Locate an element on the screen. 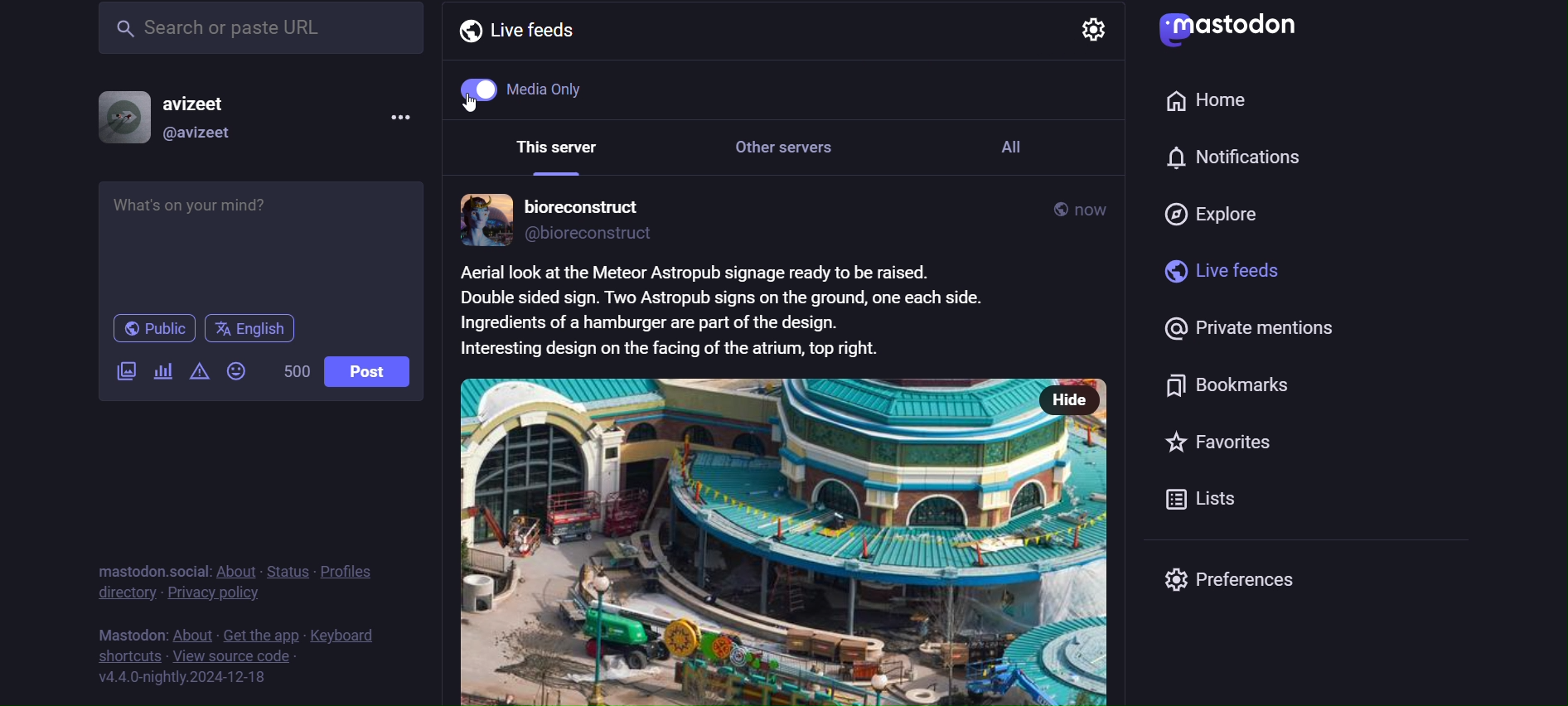  about is located at coordinates (188, 628).